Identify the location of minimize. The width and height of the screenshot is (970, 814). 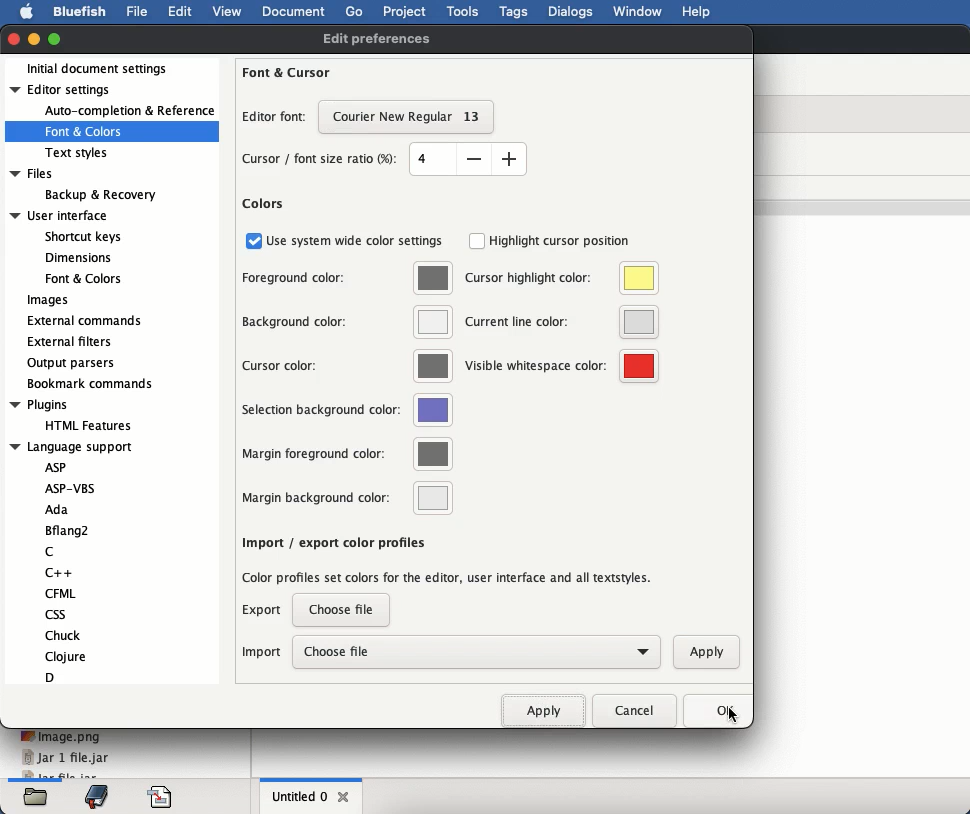
(34, 39).